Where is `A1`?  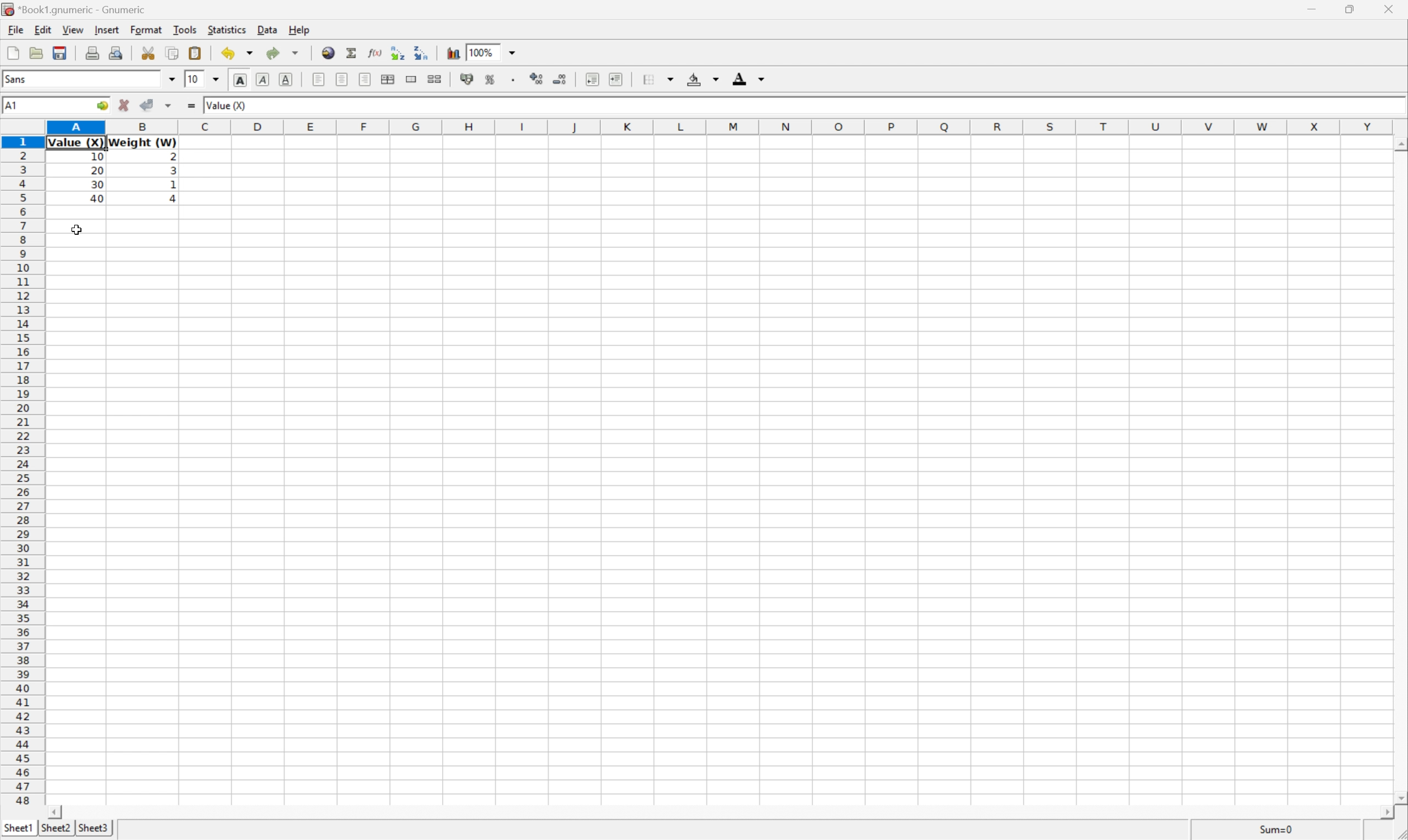
A1 is located at coordinates (14, 103).